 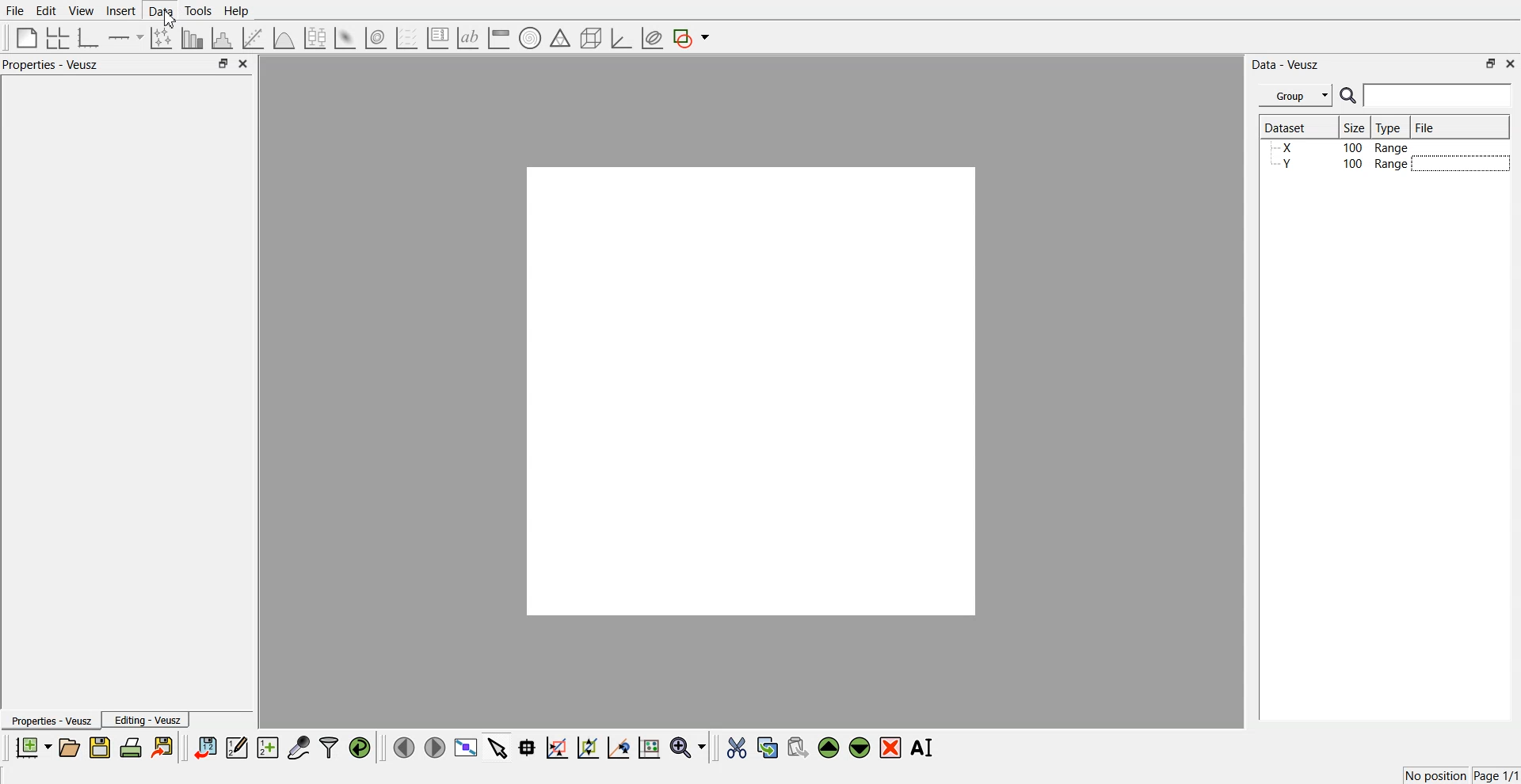 What do you see at coordinates (1427, 127) in the screenshot?
I see `File` at bounding box center [1427, 127].